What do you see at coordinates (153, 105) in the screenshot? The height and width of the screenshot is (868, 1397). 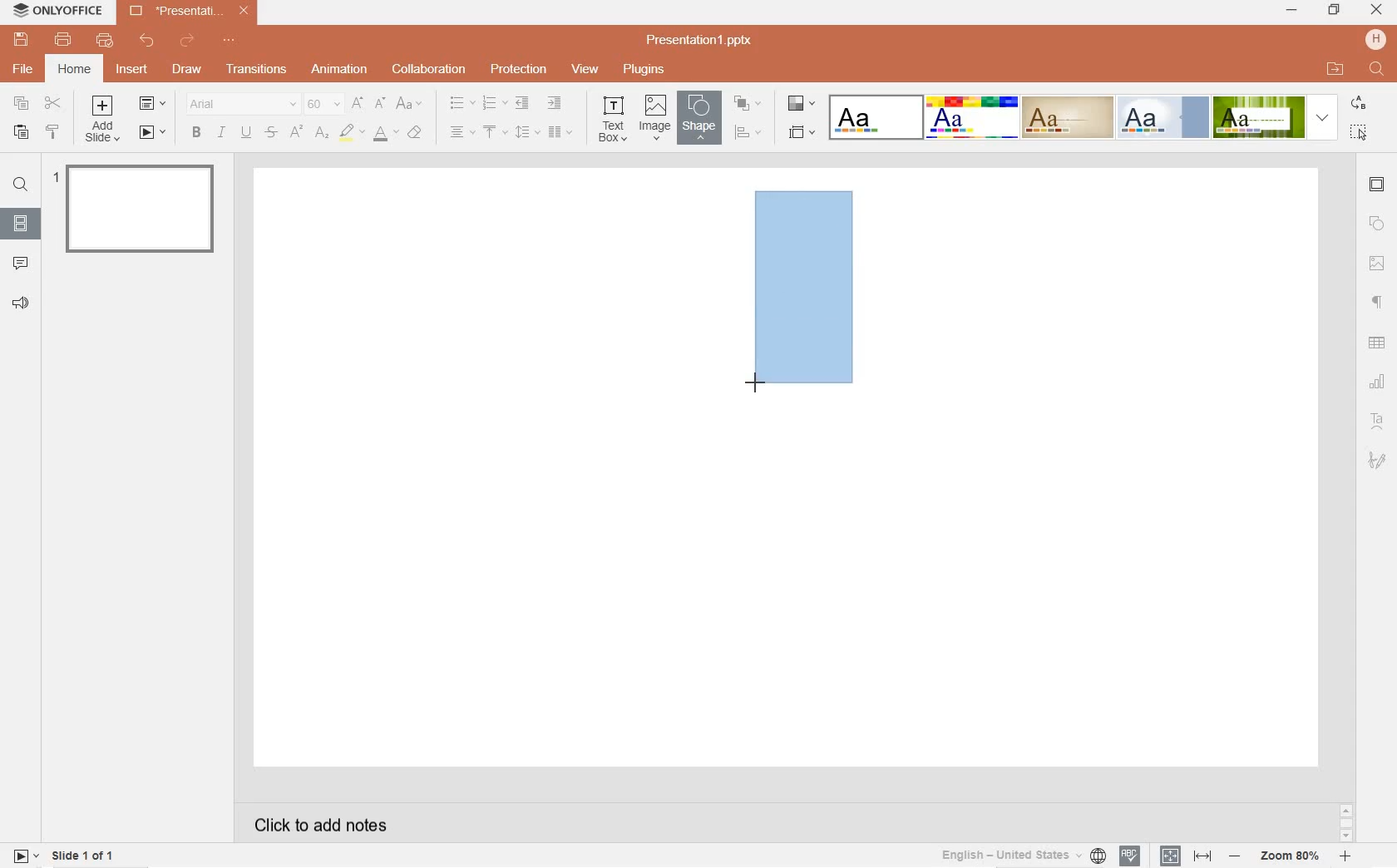 I see `change slide layout` at bounding box center [153, 105].